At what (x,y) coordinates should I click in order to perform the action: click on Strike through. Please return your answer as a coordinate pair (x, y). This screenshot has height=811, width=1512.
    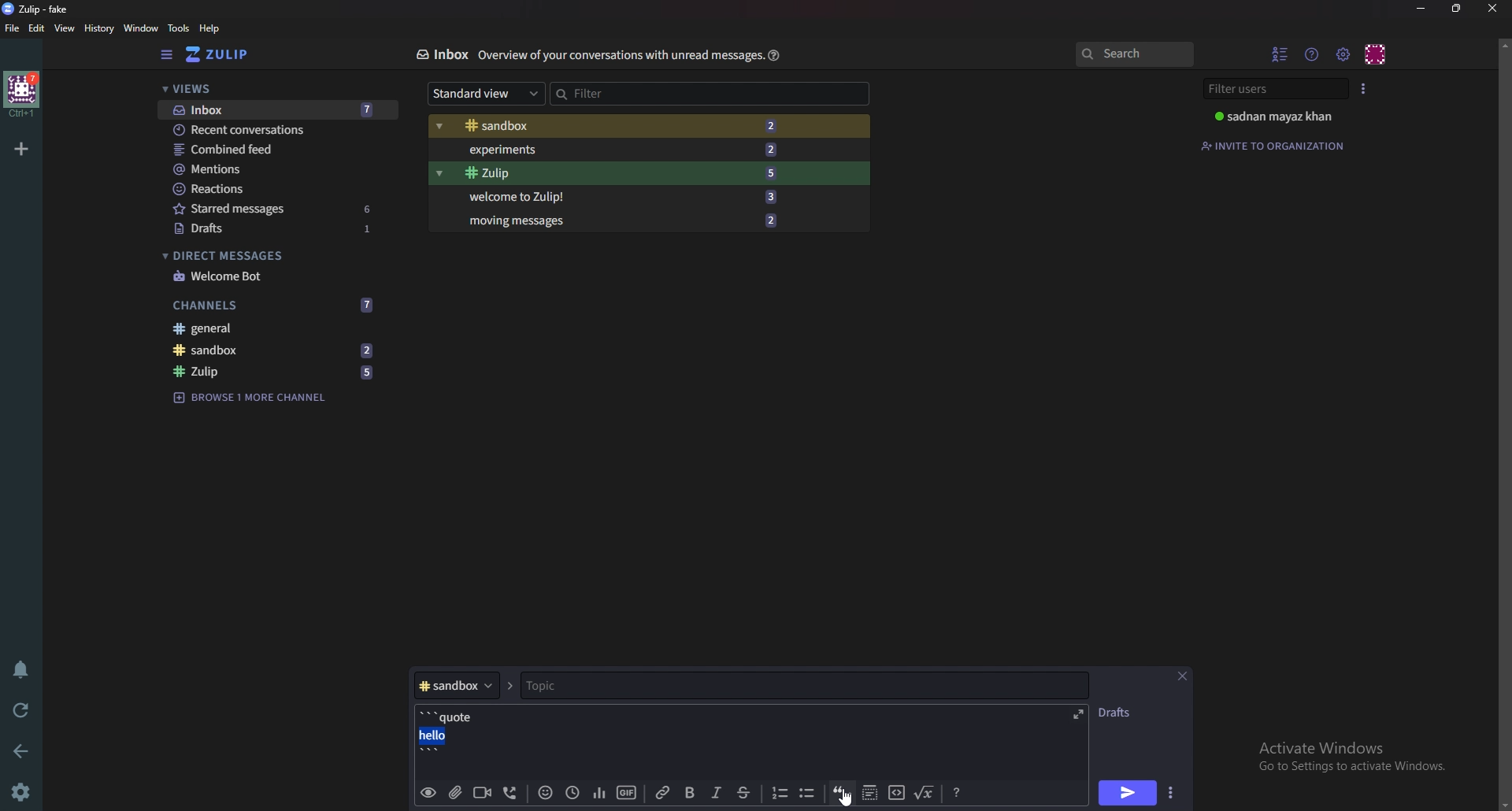
    Looking at the image, I should click on (750, 793).